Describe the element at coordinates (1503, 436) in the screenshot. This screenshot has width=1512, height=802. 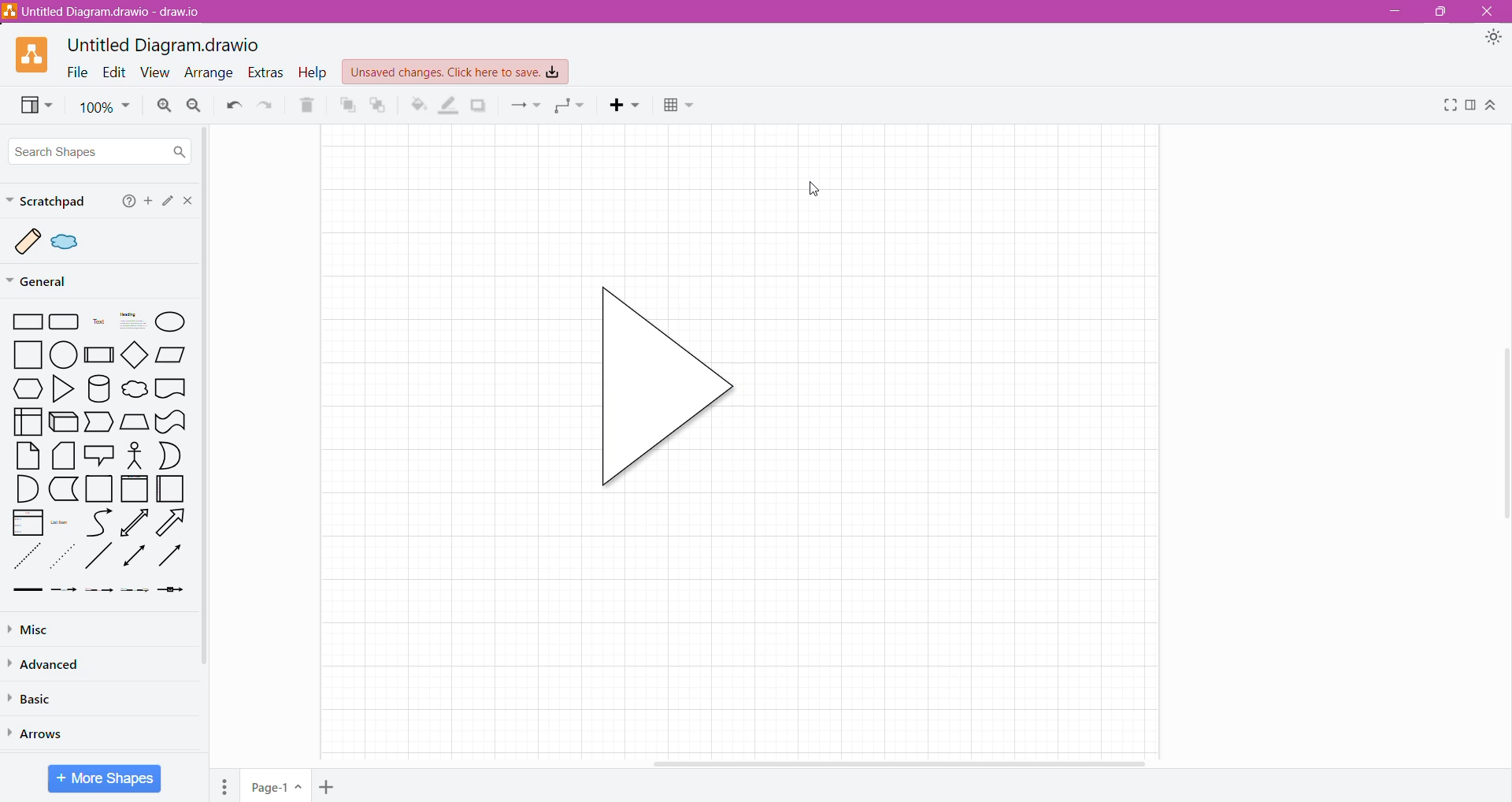
I see `Vertical Scroll Bar` at that location.